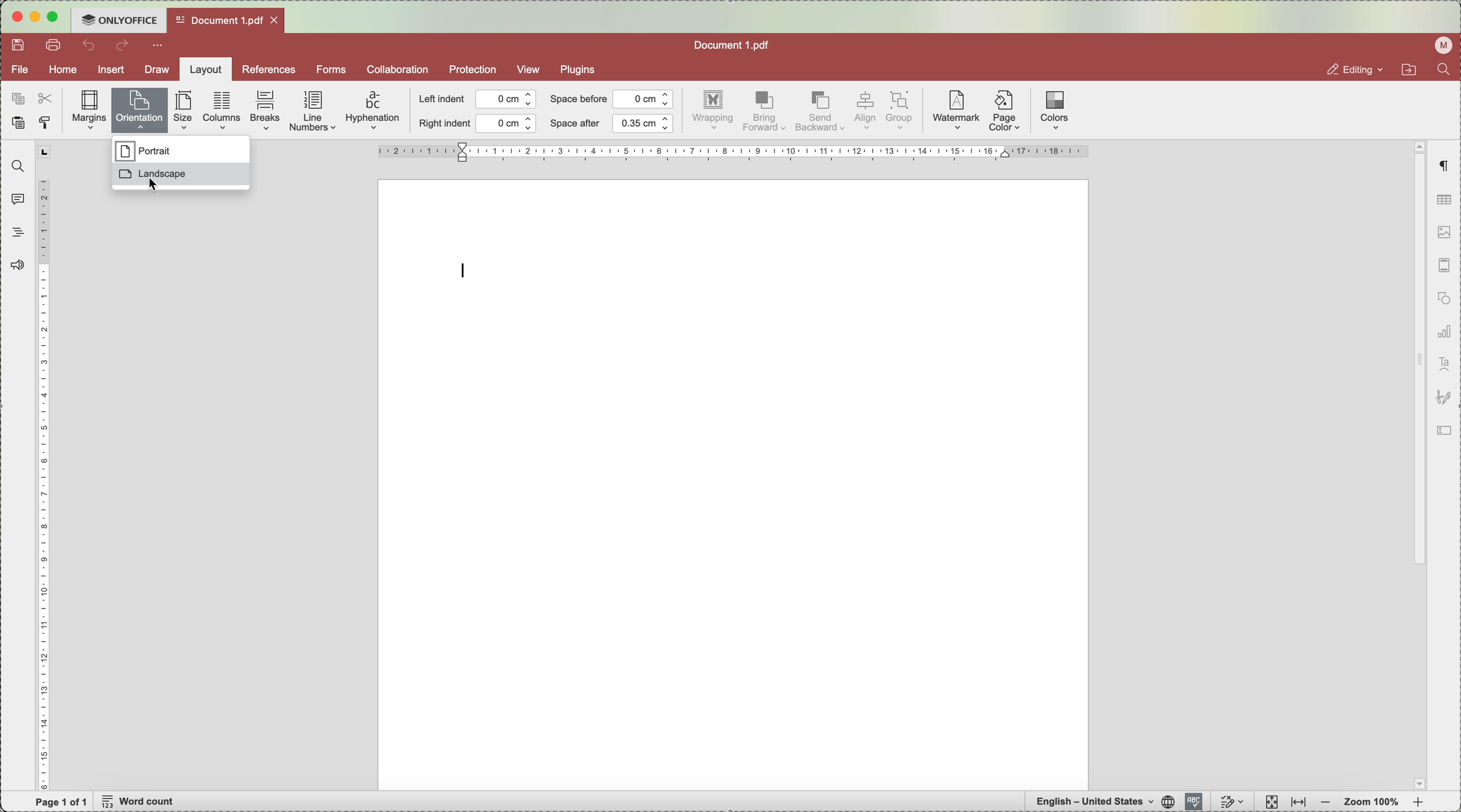  Describe the element at coordinates (1005, 113) in the screenshot. I see `page color` at that location.